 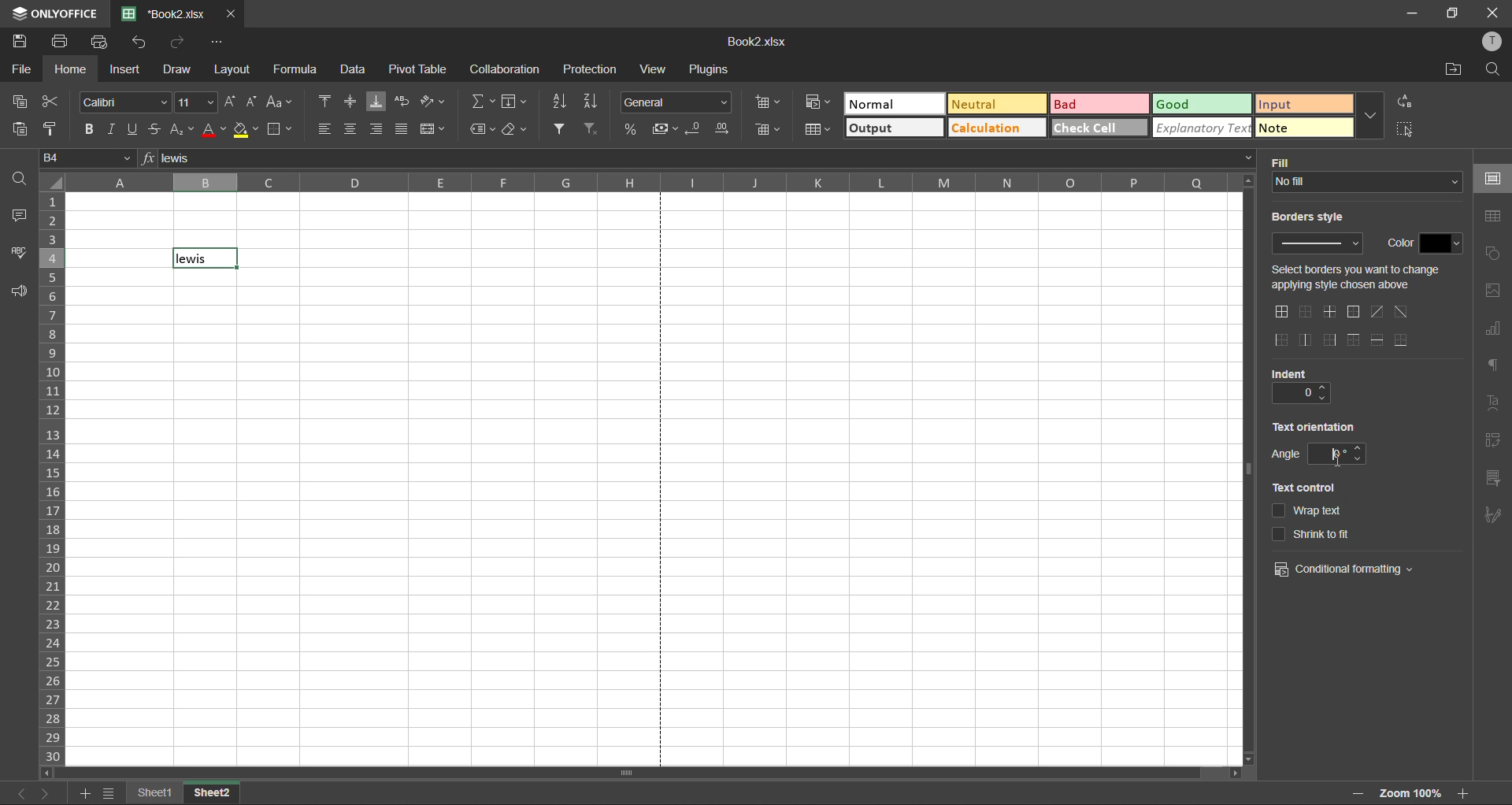 I want to click on increase angle, so click(x=1361, y=447).